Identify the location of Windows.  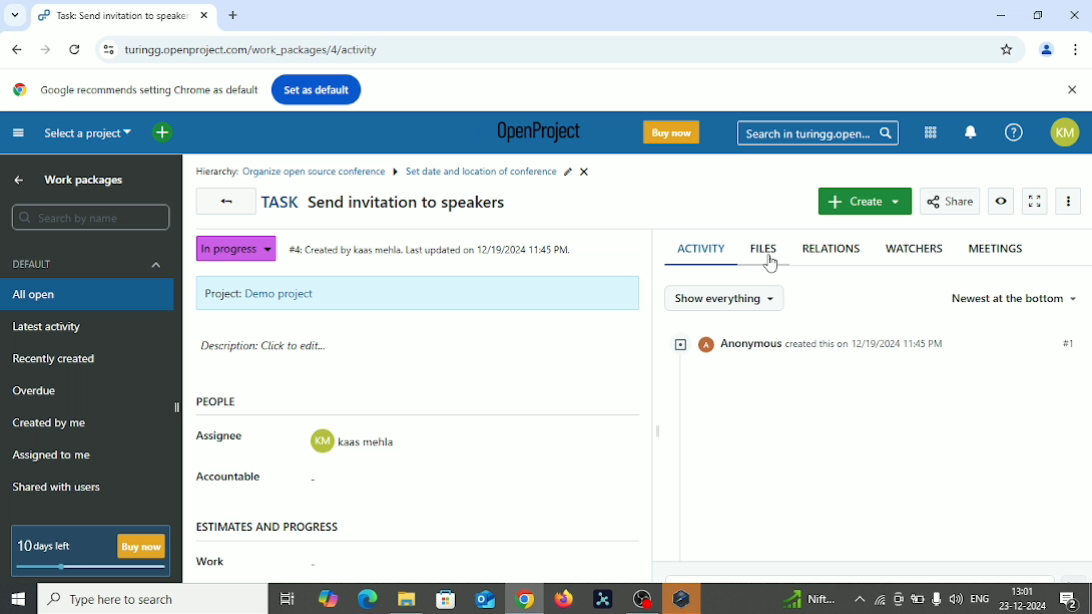
(17, 600).